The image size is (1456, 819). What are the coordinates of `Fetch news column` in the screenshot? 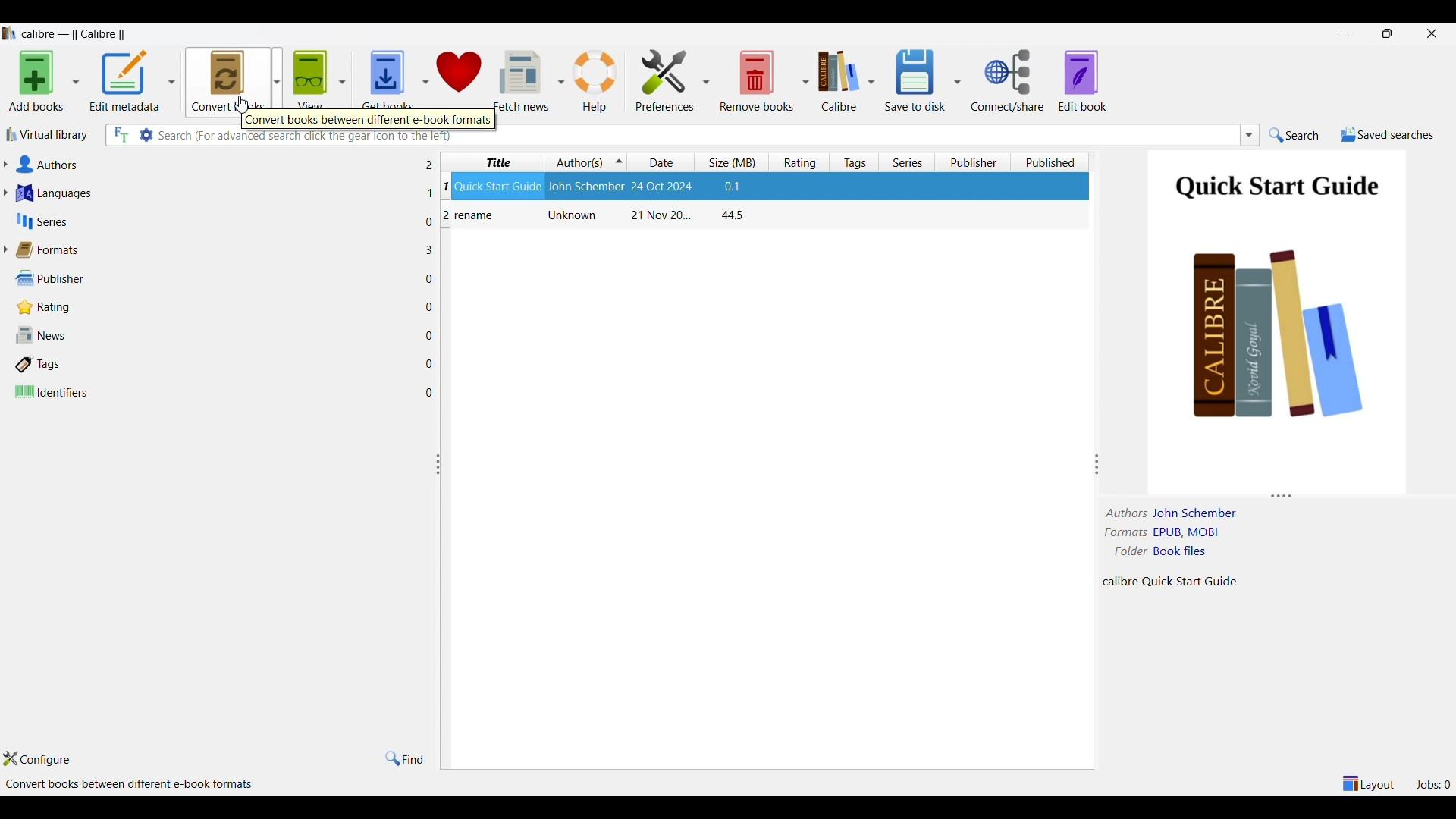 It's located at (560, 80).